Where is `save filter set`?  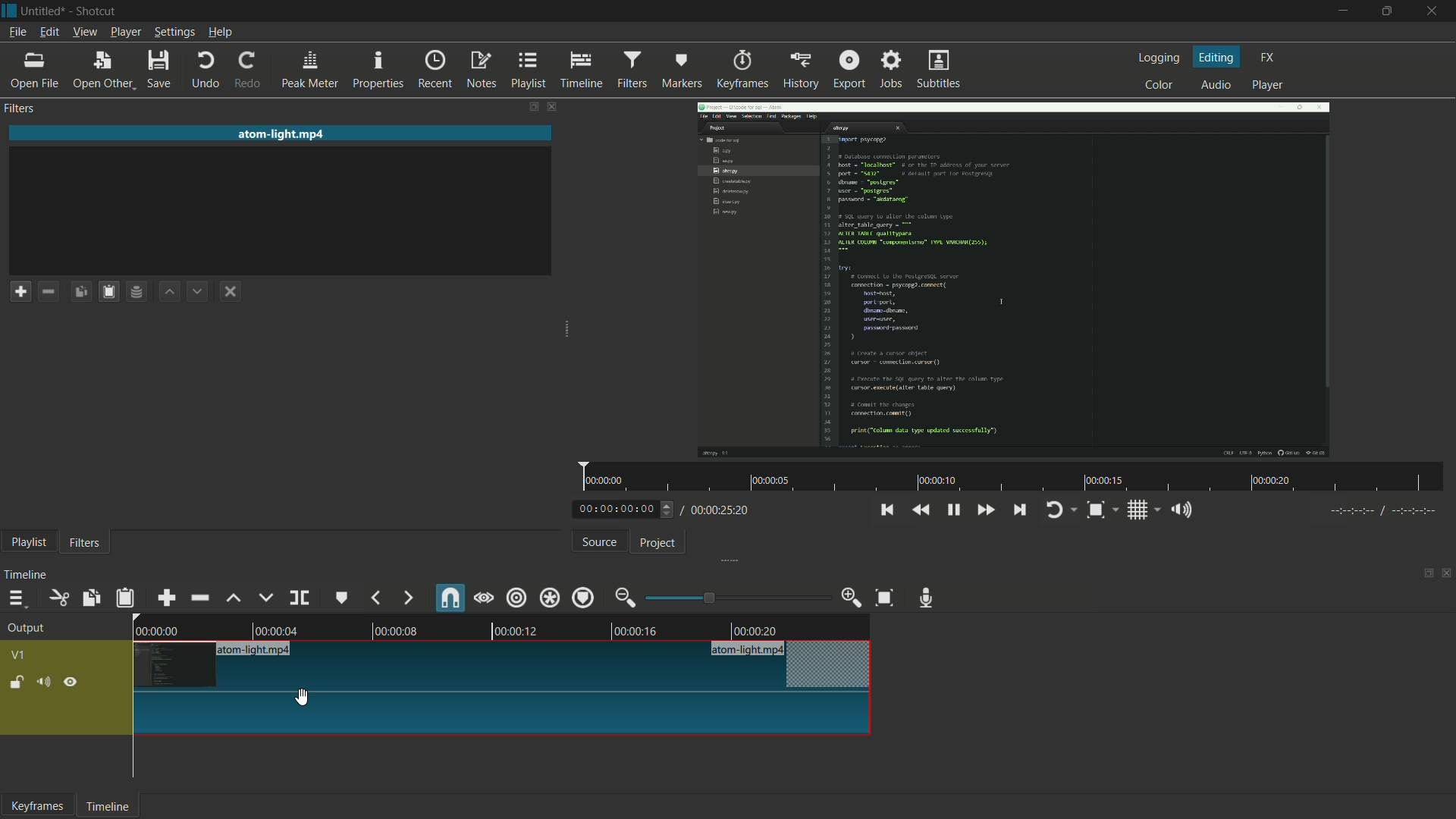
save filter set is located at coordinates (137, 290).